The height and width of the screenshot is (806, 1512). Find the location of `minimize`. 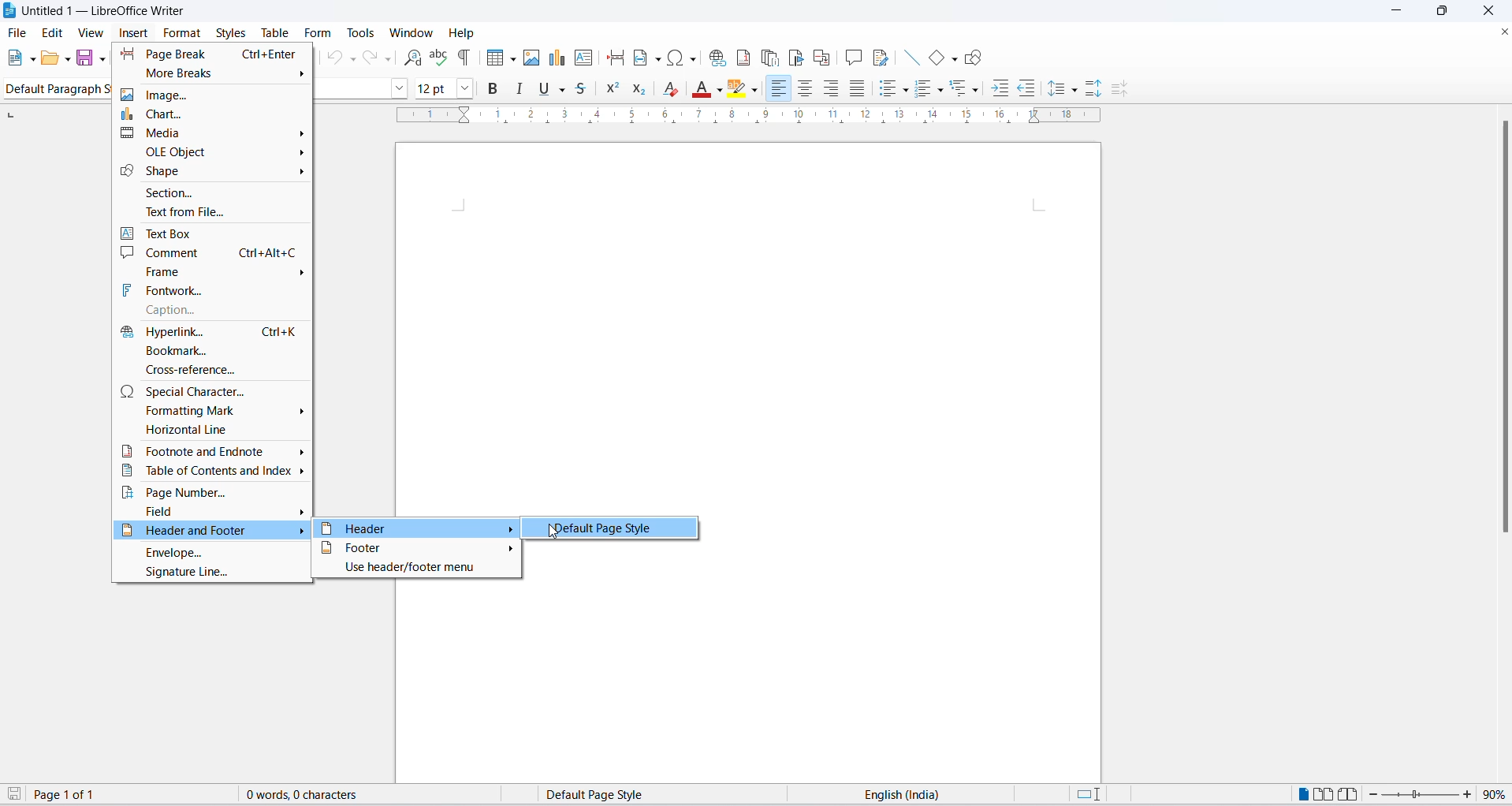

minimize is located at coordinates (1400, 12).